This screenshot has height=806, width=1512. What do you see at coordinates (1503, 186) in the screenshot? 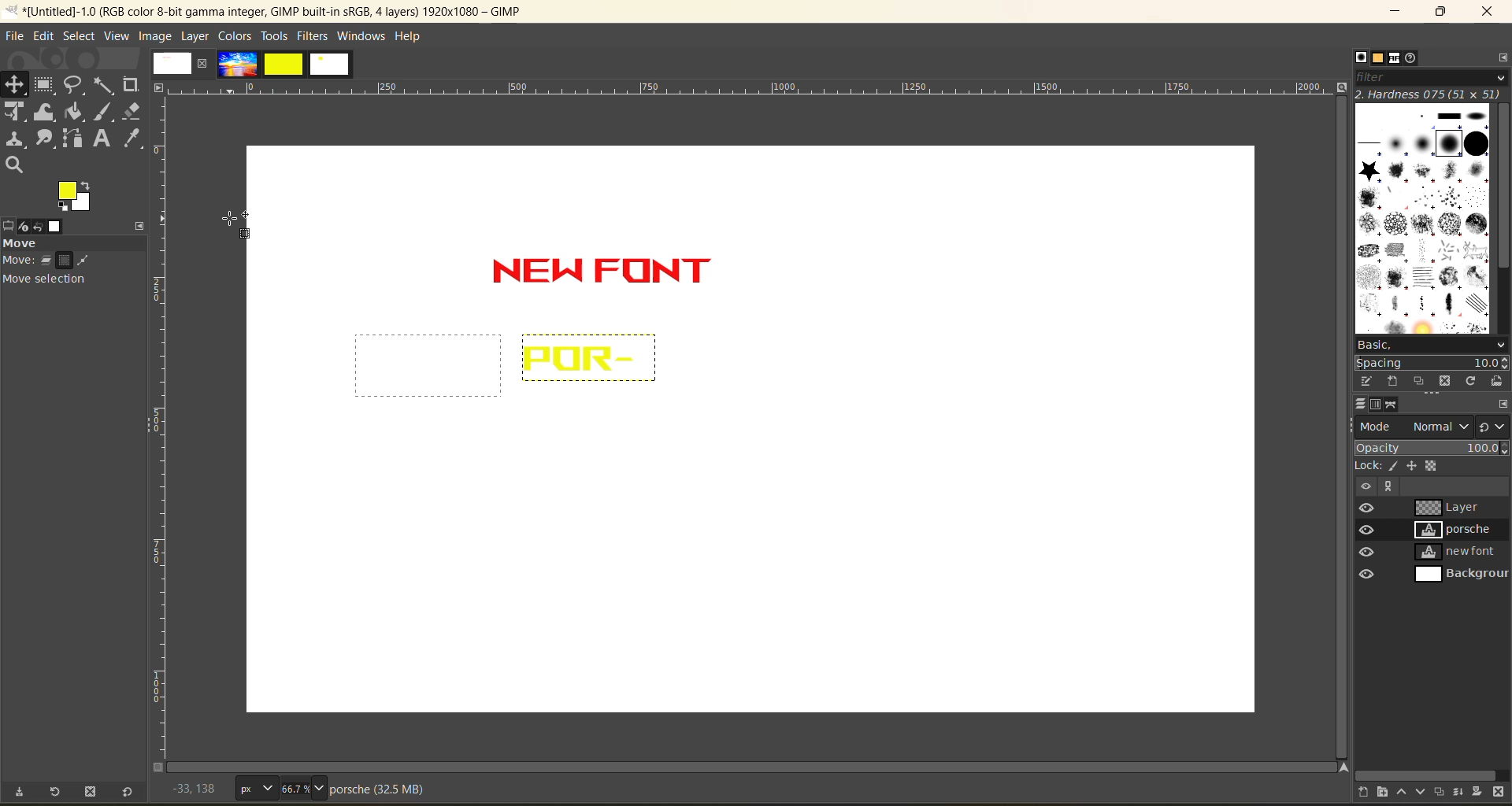
I see `vertical scroll bar` at bounding box center [1503, 186].